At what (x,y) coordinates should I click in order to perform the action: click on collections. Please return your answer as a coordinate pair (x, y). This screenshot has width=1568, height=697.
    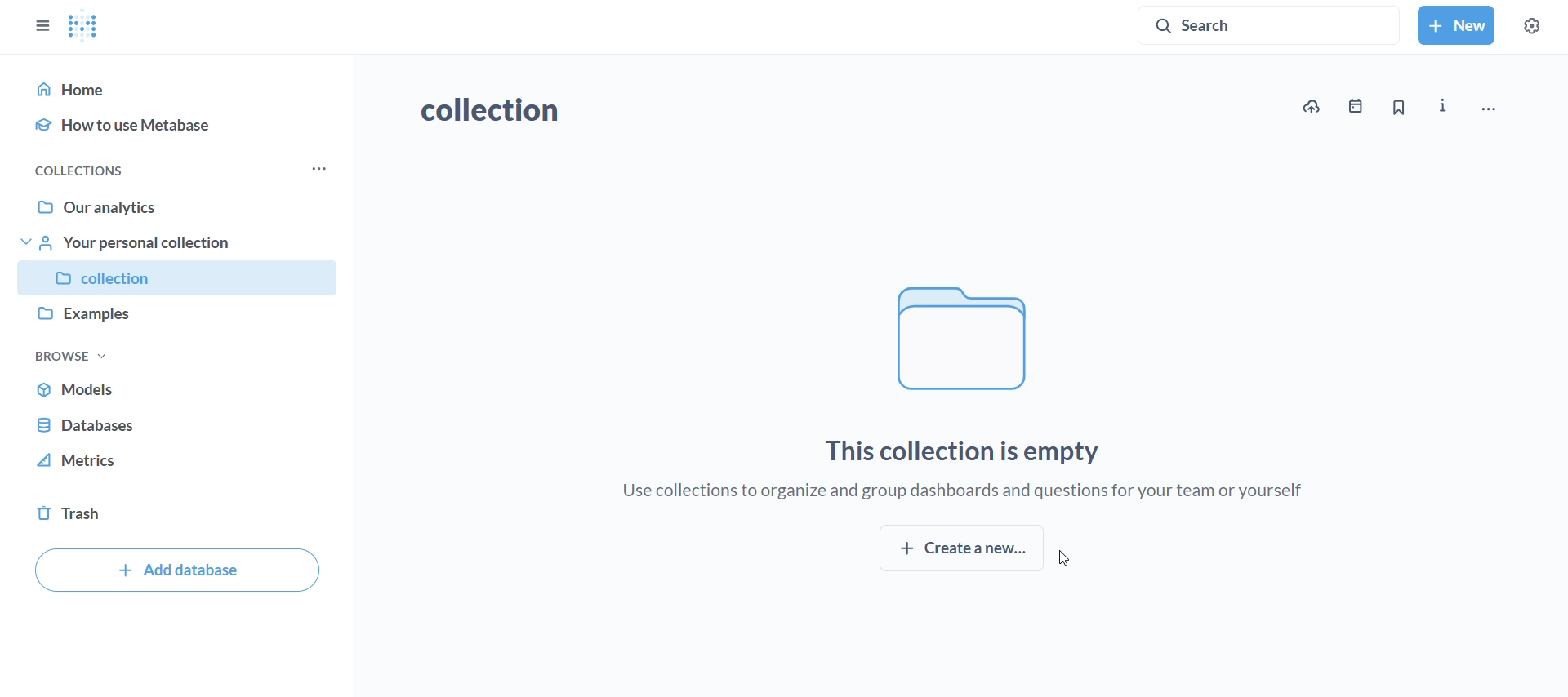
    Looking at the image, I should click on (70, 169).